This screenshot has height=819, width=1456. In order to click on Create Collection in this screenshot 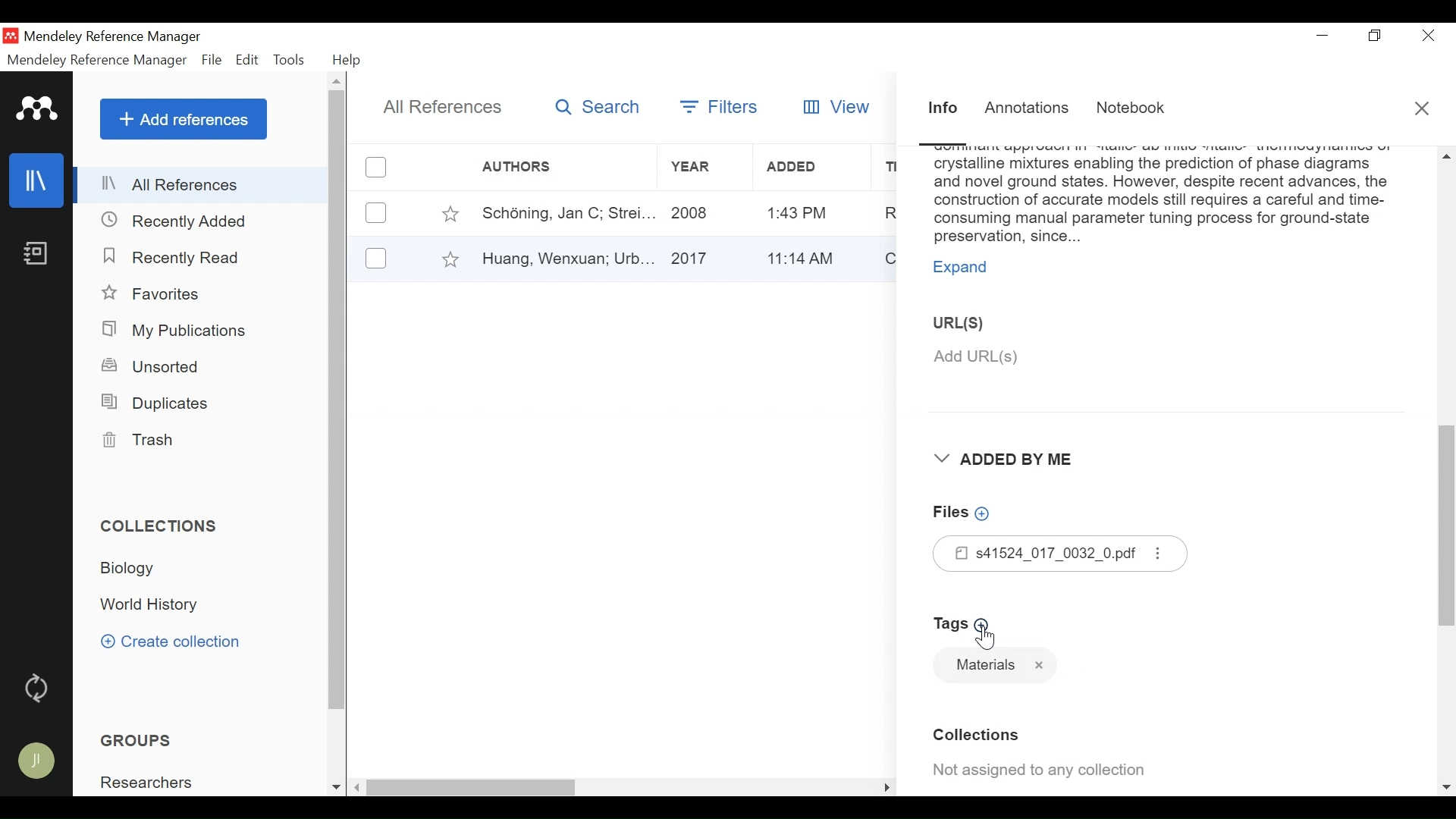, I will do `click(171, 641)`.